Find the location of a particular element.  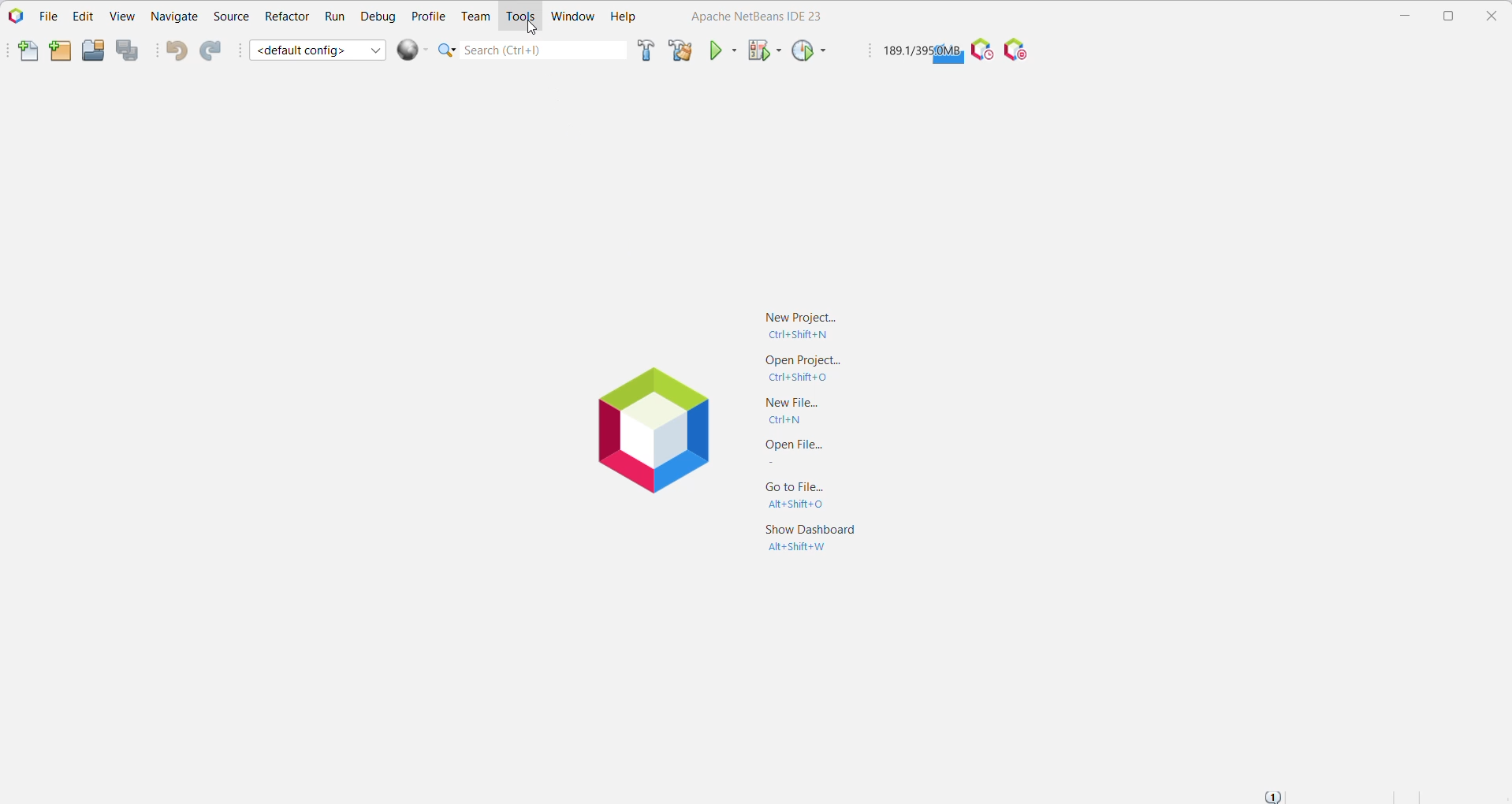

Window is located at coordinates (573, 18).